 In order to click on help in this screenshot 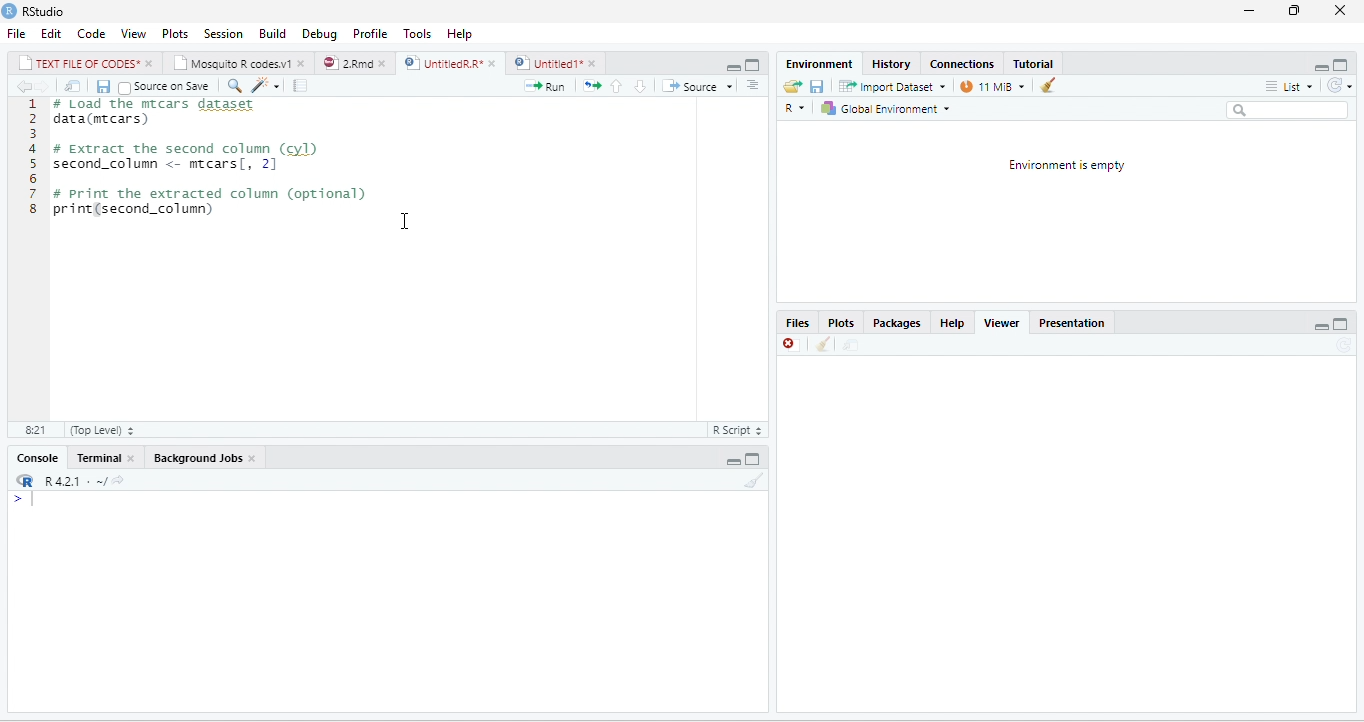, I will do `click(952, 324)`.